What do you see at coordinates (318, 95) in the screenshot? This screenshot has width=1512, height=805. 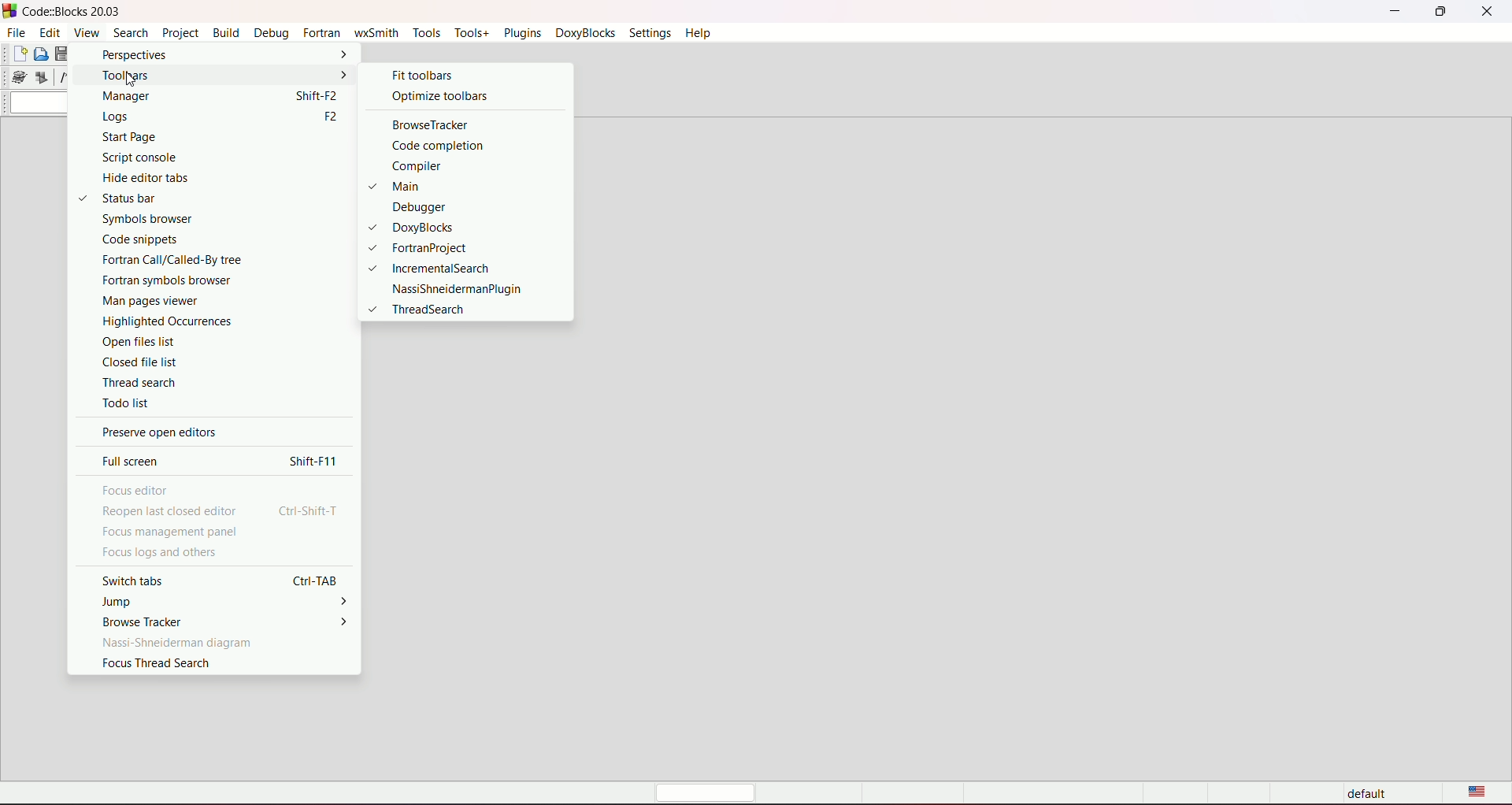 I see `shift+F2` at bounding box center [318, 95].